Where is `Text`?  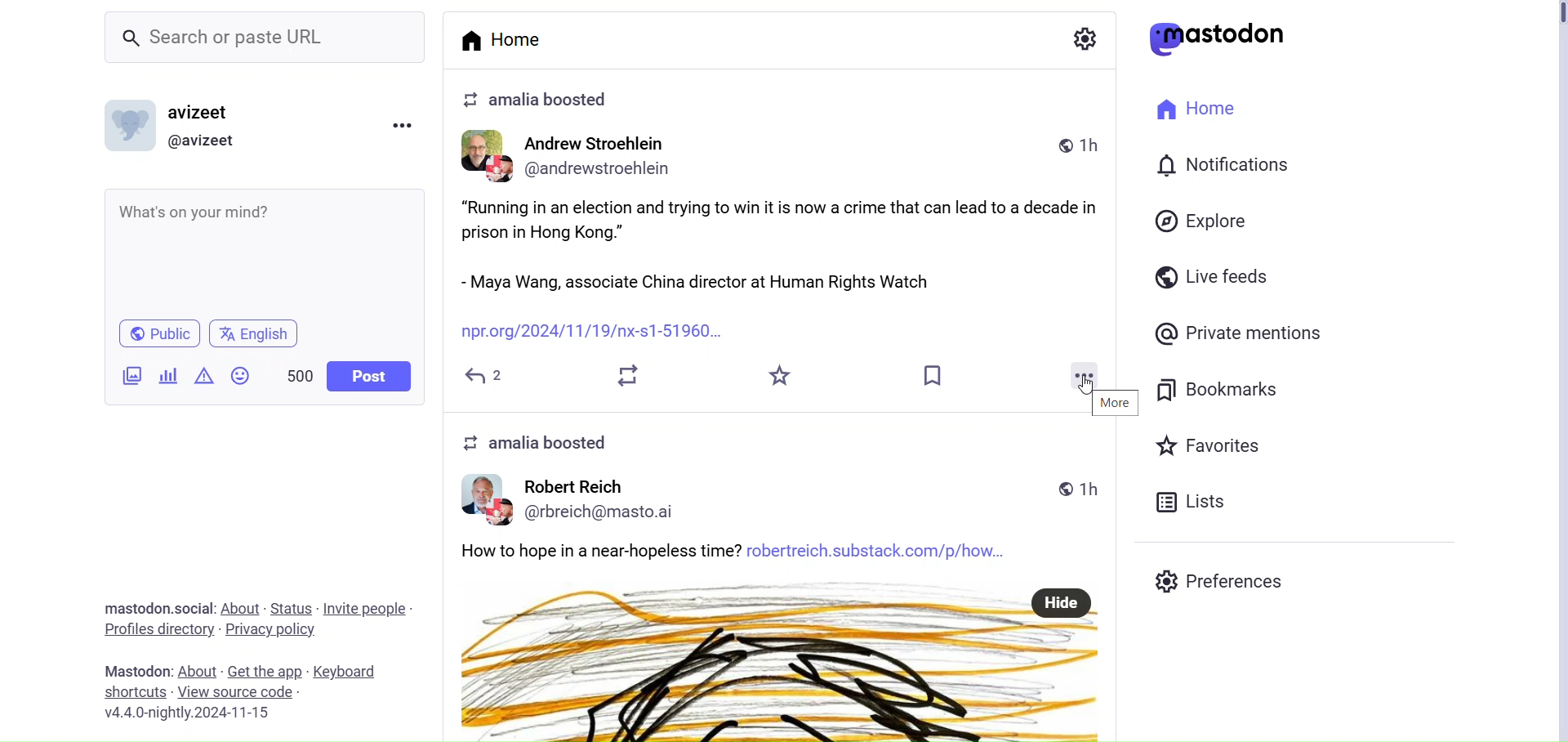 Text is located at coordinates (135, 670).